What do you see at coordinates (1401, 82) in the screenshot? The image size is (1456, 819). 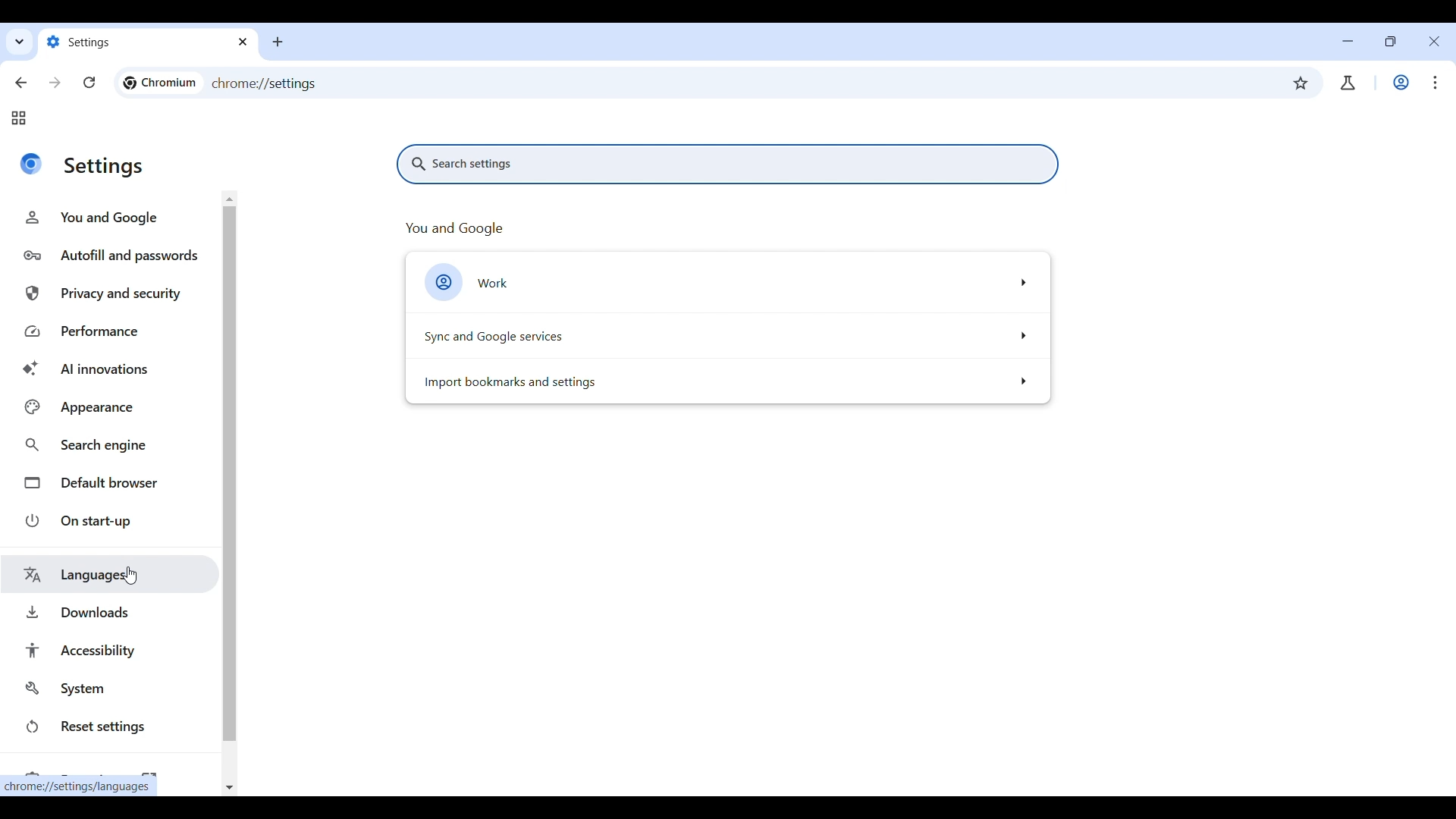 I see `Work` at bounding box center [1401, 82].